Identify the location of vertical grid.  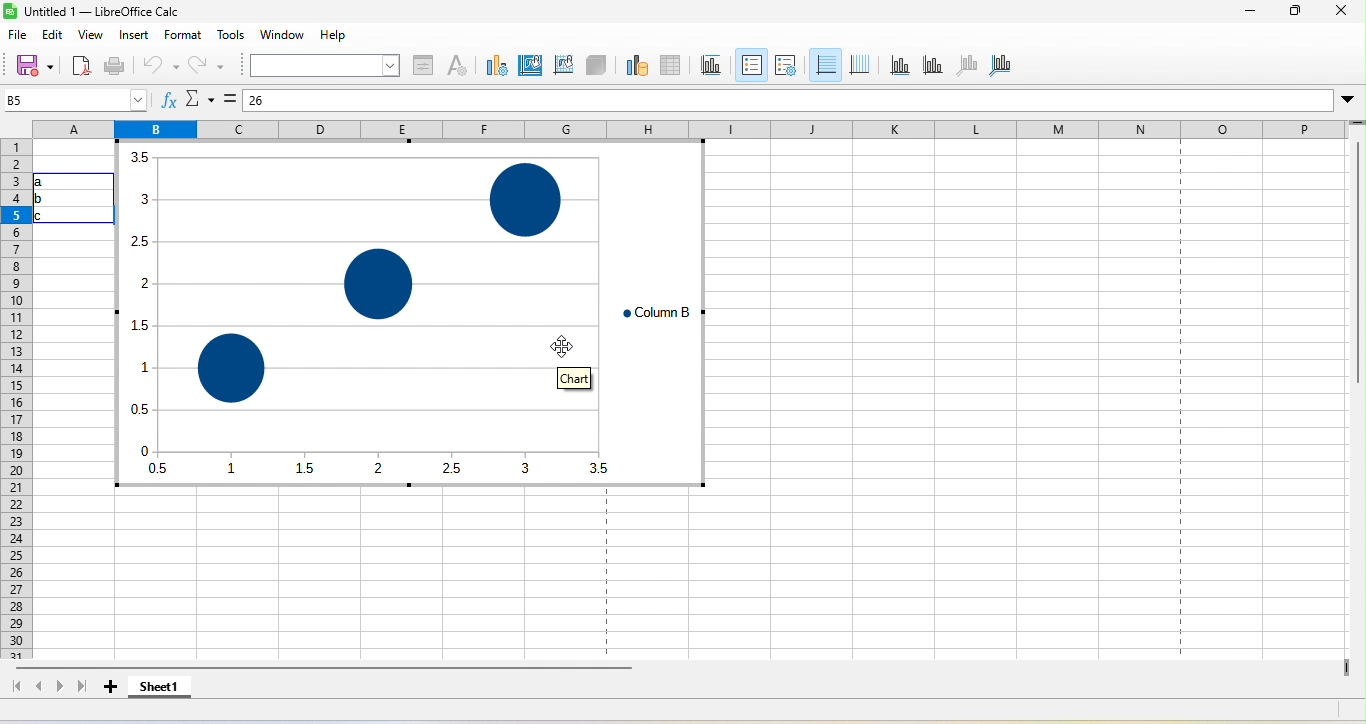
(859, 63).